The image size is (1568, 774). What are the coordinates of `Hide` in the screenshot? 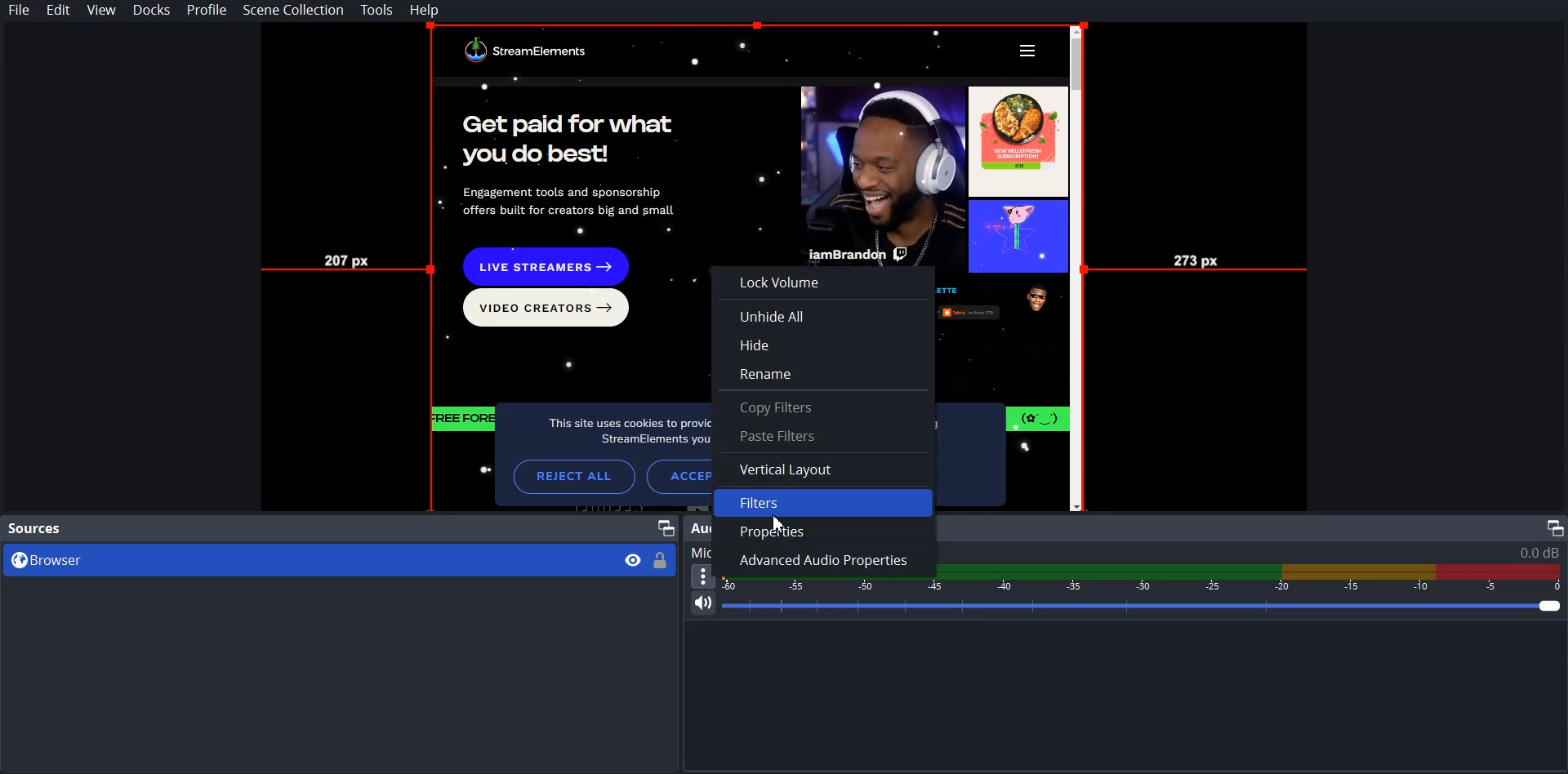 It's located at (824, 345).